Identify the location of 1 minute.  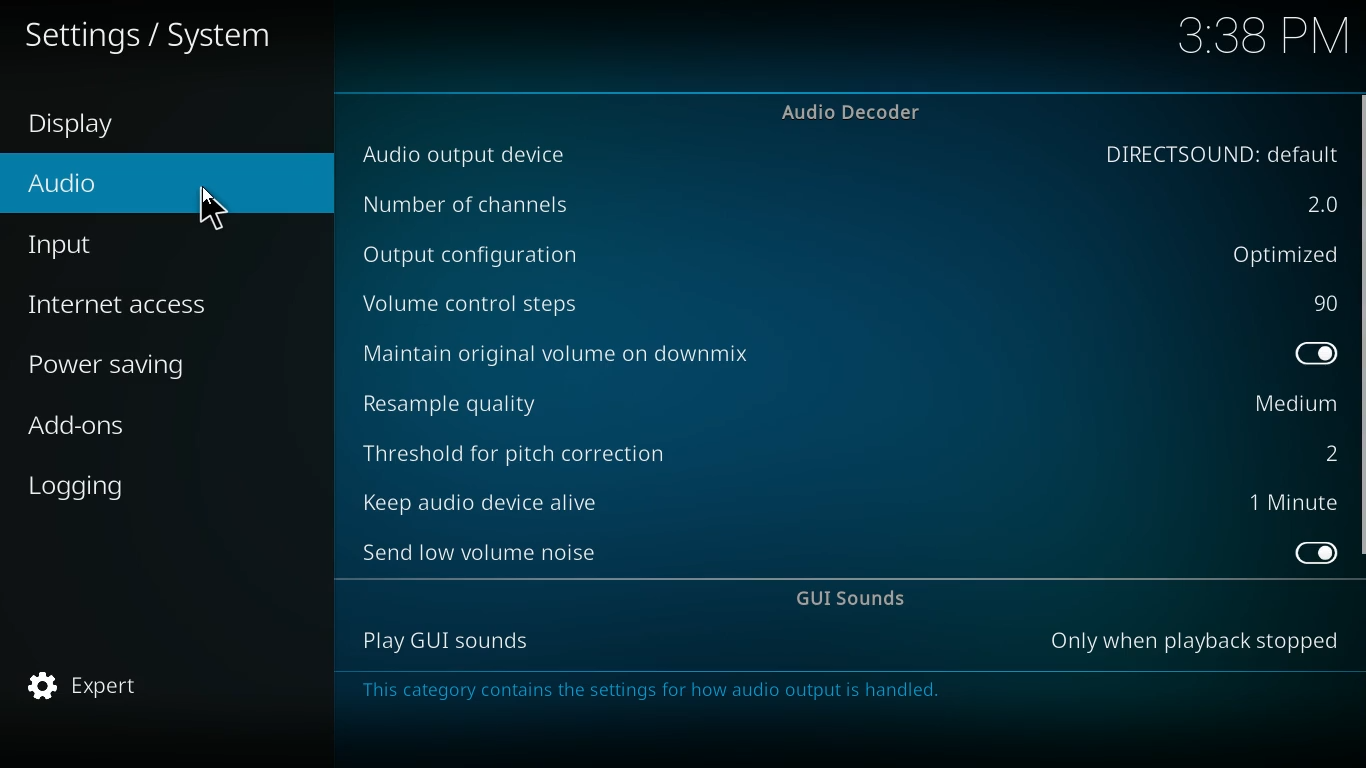
(1299, 504).